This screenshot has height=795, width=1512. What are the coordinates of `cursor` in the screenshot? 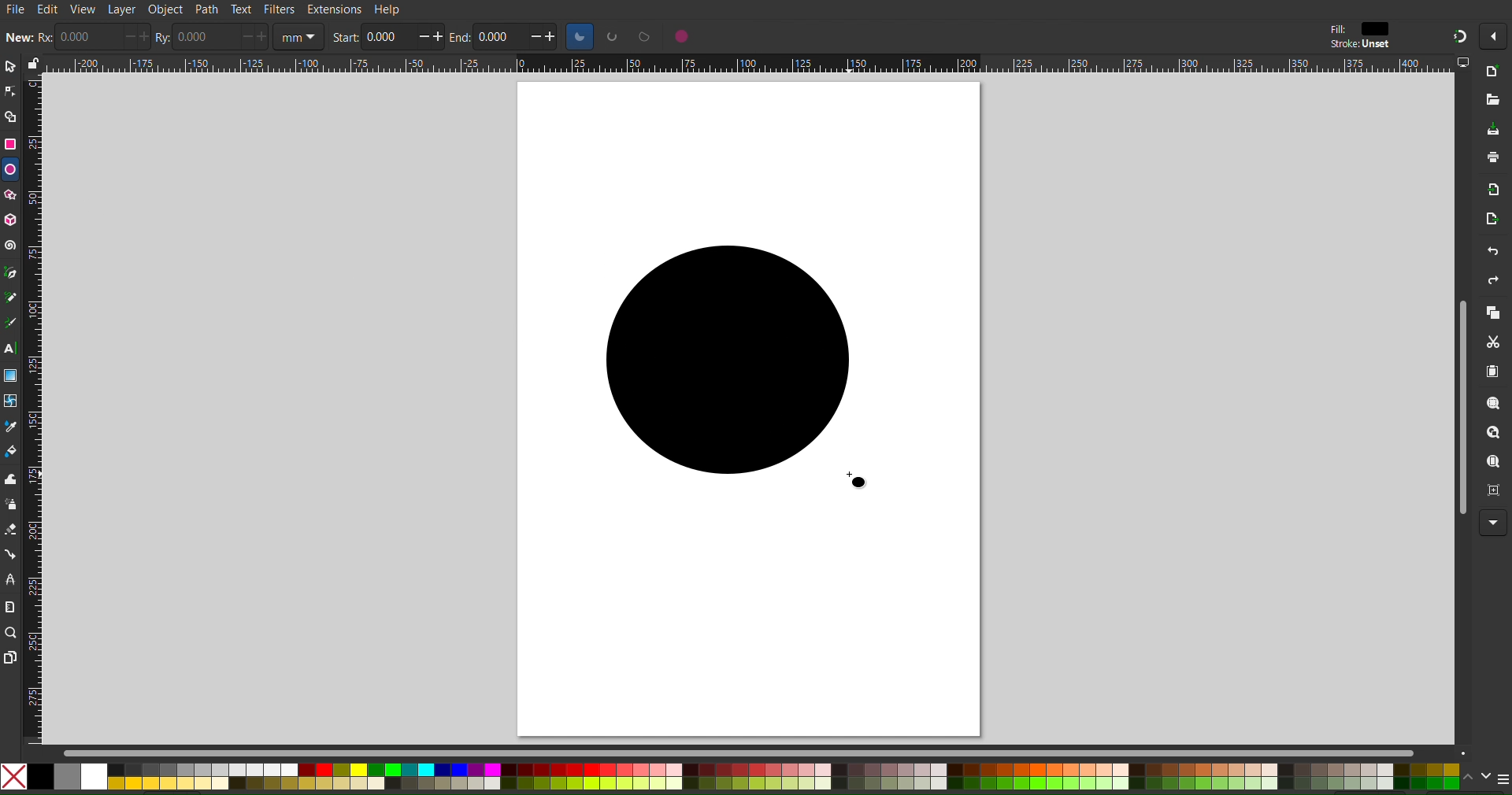 It's located at (872, 485).